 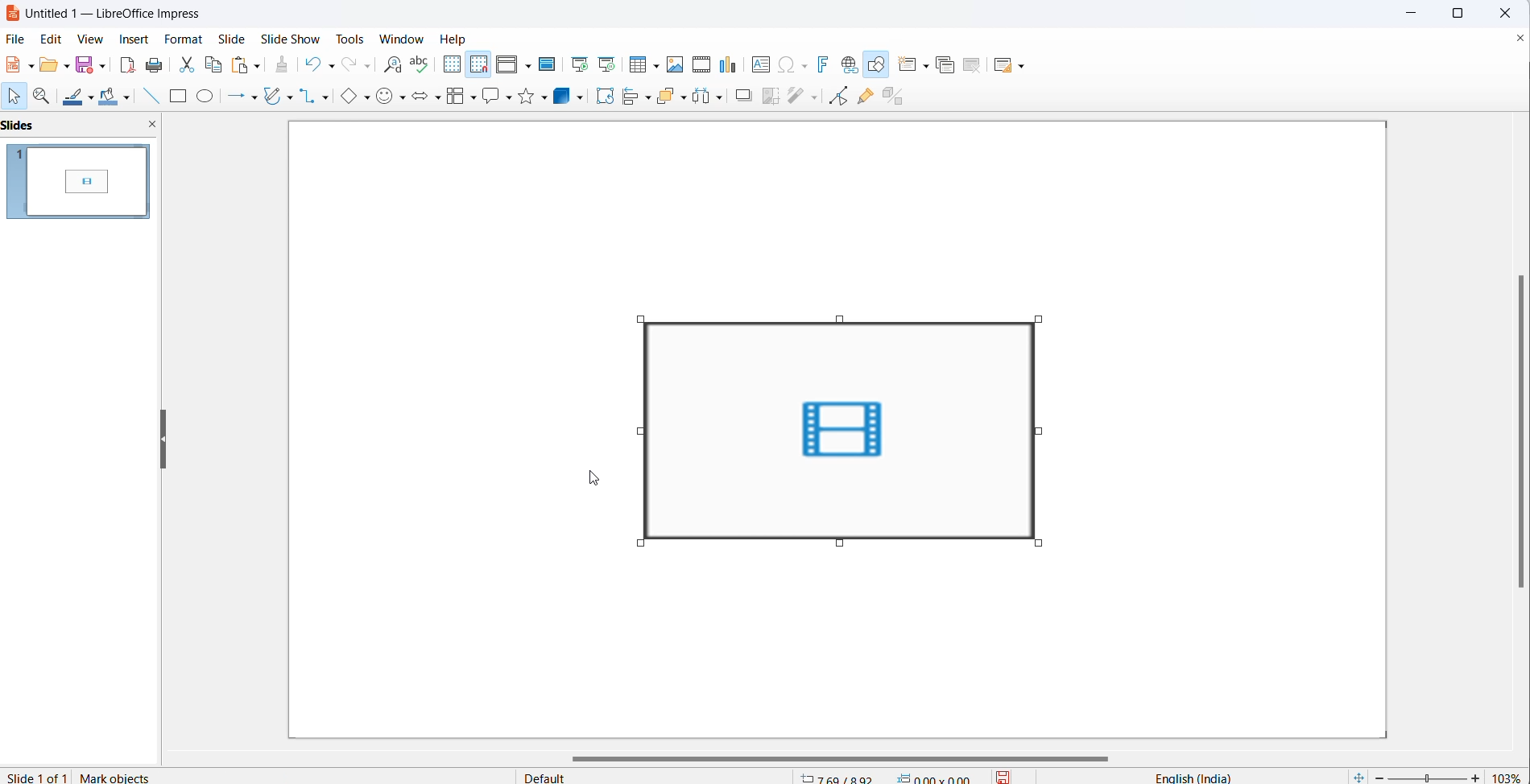 I want to click on find and replace, so click(x=390, y=66).